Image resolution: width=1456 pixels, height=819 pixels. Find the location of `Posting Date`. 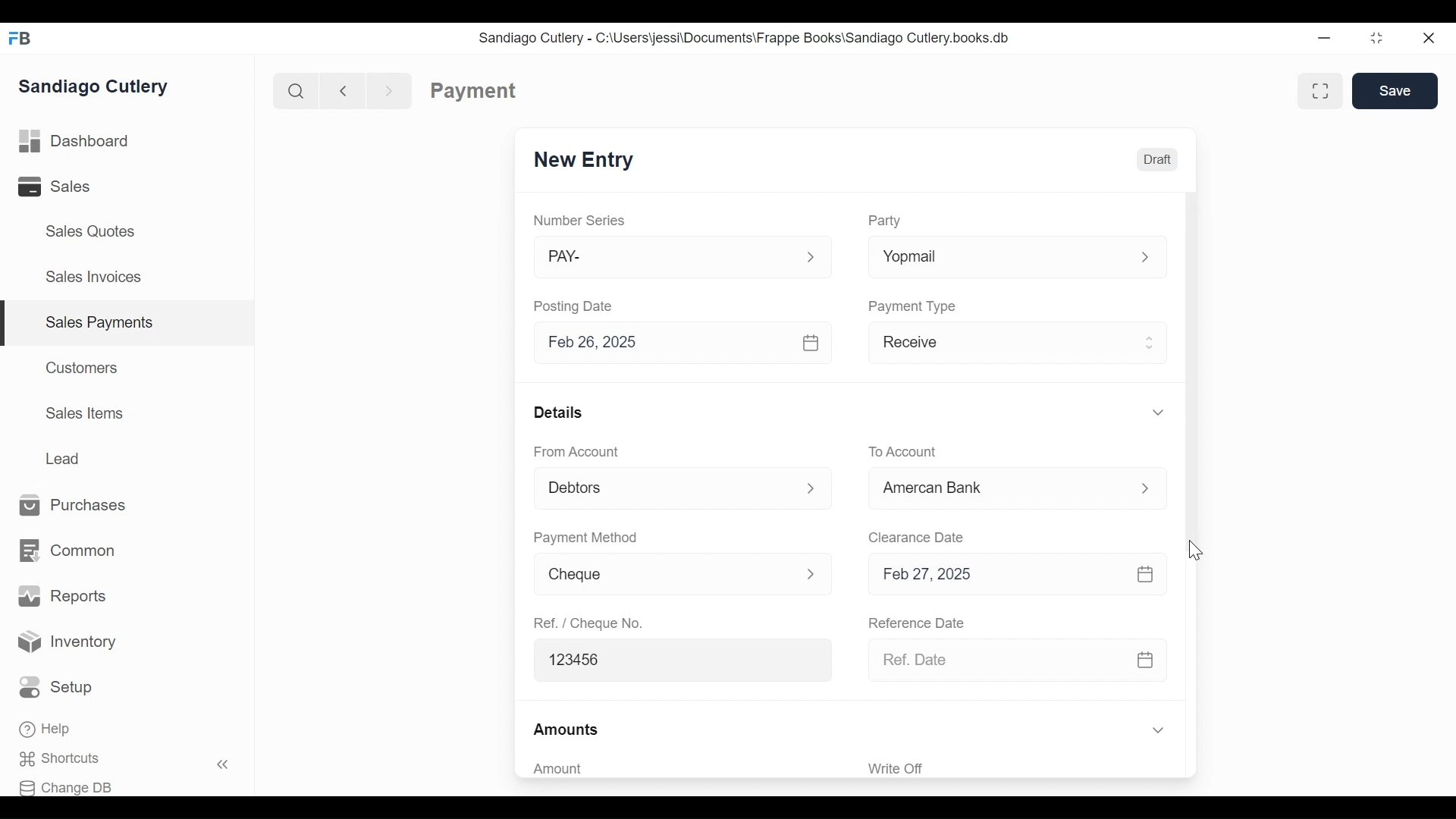

Posting Date is located at coordinates (576, 306).